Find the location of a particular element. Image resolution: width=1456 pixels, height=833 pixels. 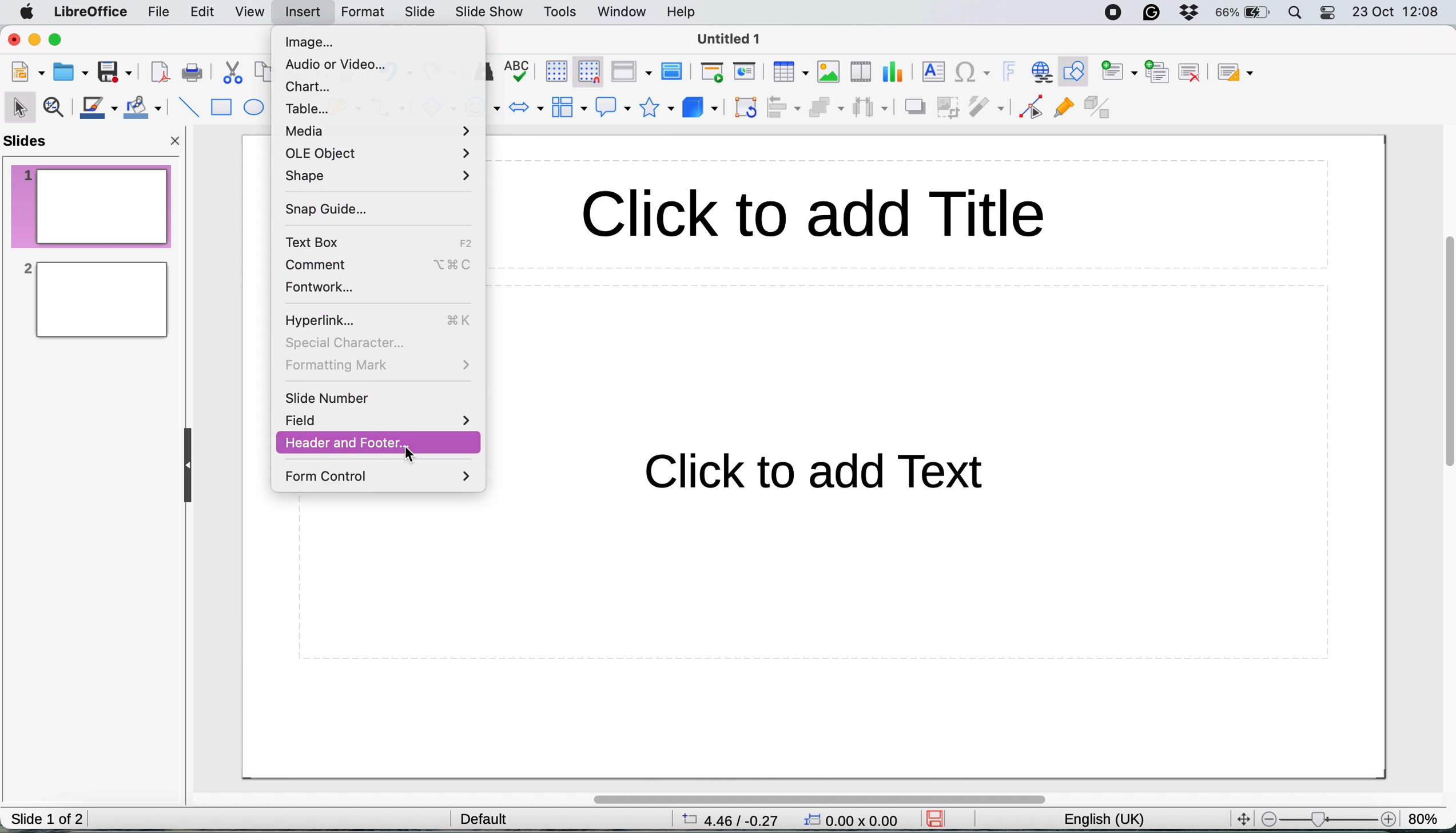

start from current slide is located at coordinates (746, 72).